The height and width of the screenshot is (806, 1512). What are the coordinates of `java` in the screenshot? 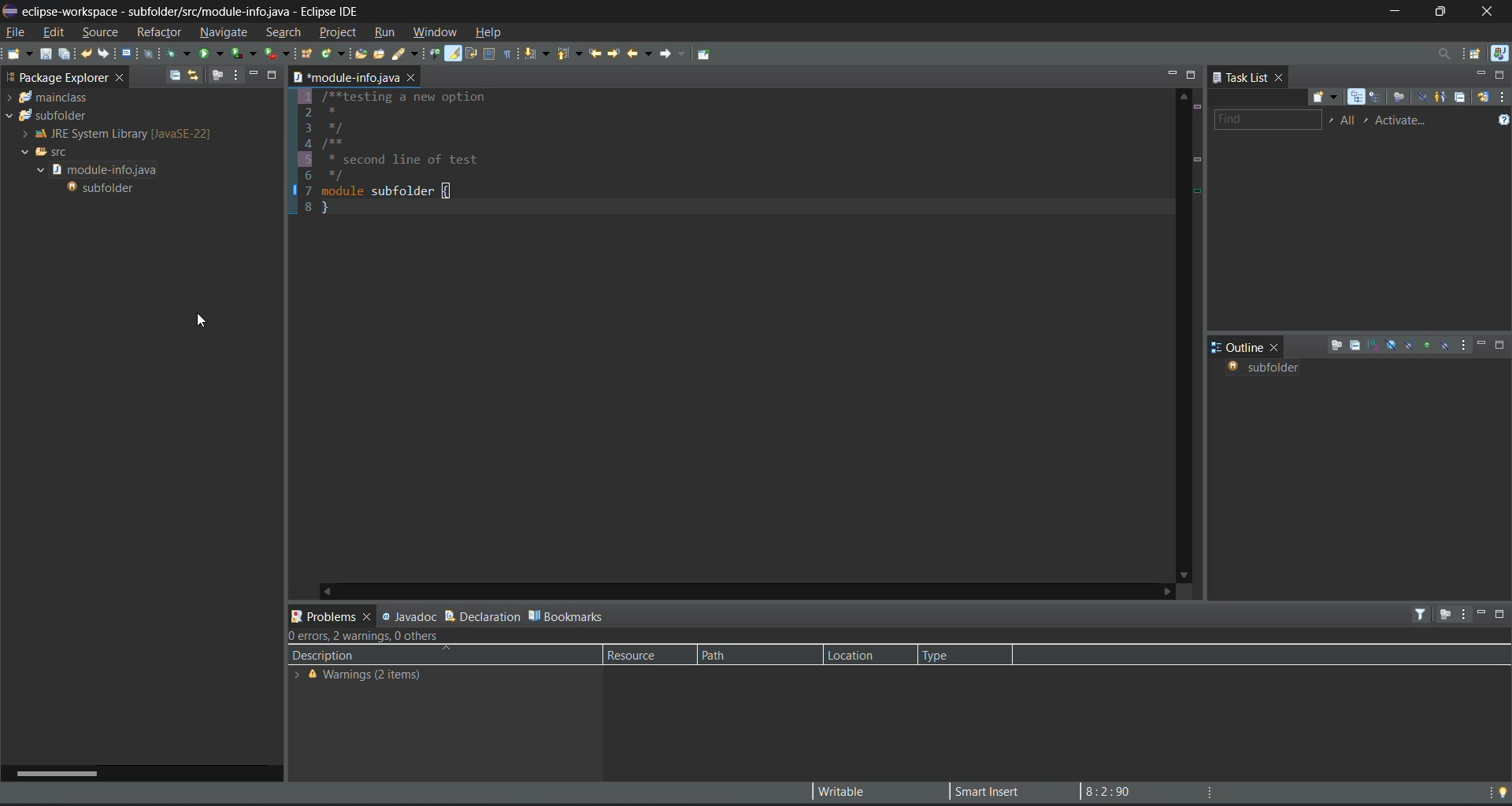 It's located at (1499, 54).